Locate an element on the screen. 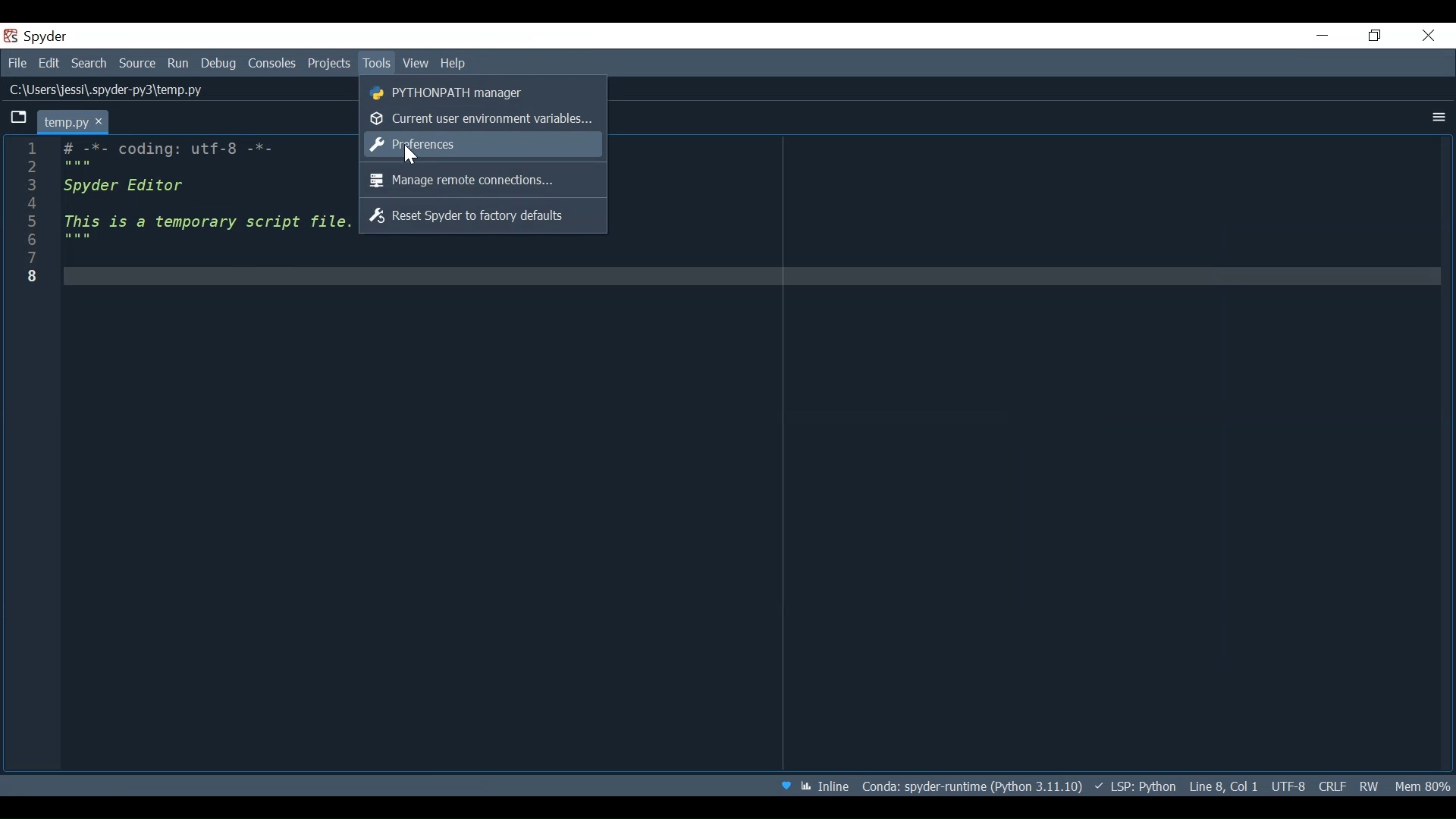 Image resolution: width=1456 pixels, height=819 pixels. Edit is located at coordinates (45, 63).